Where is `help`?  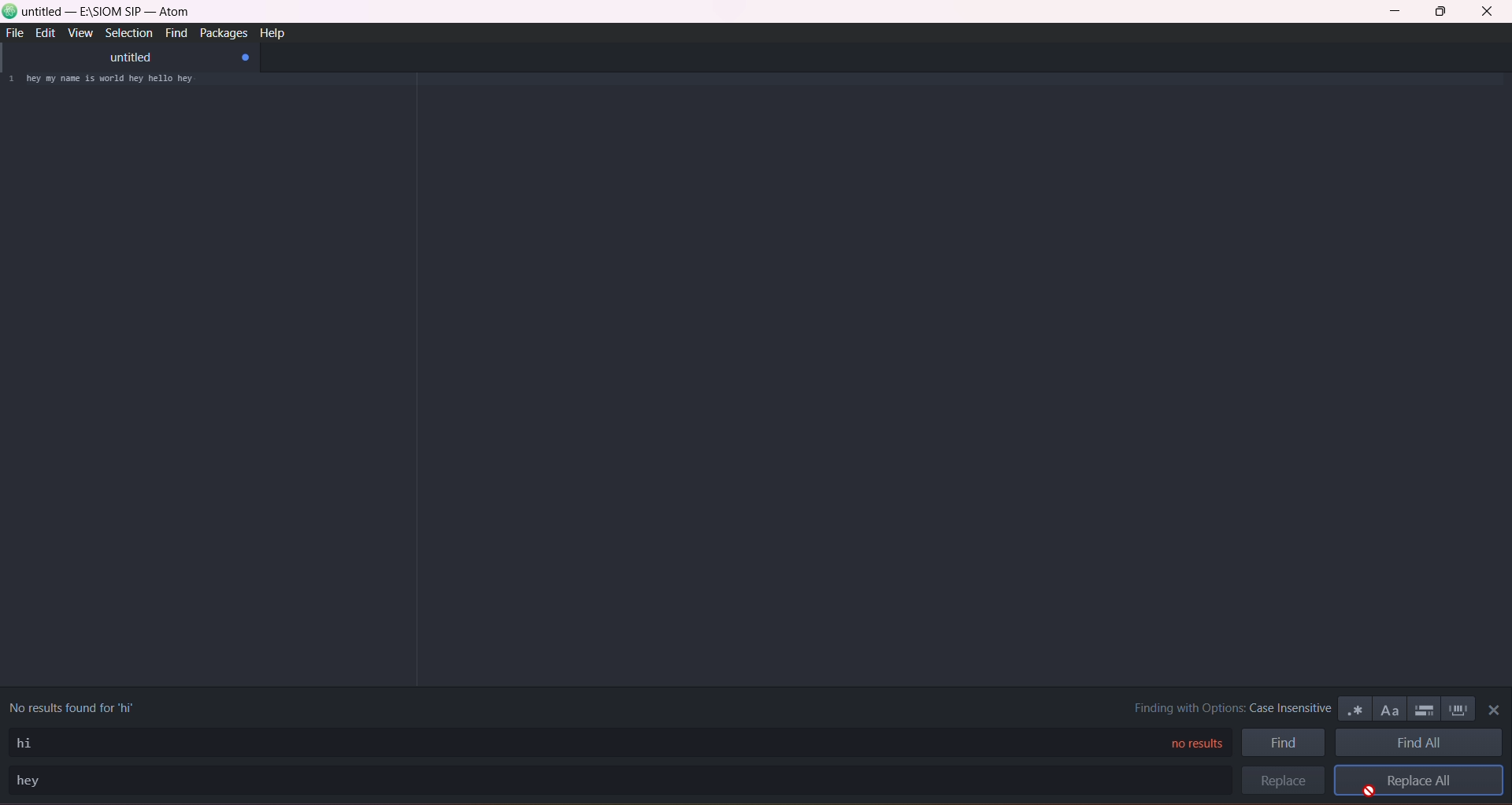
help is located at coordinates (274, 32).